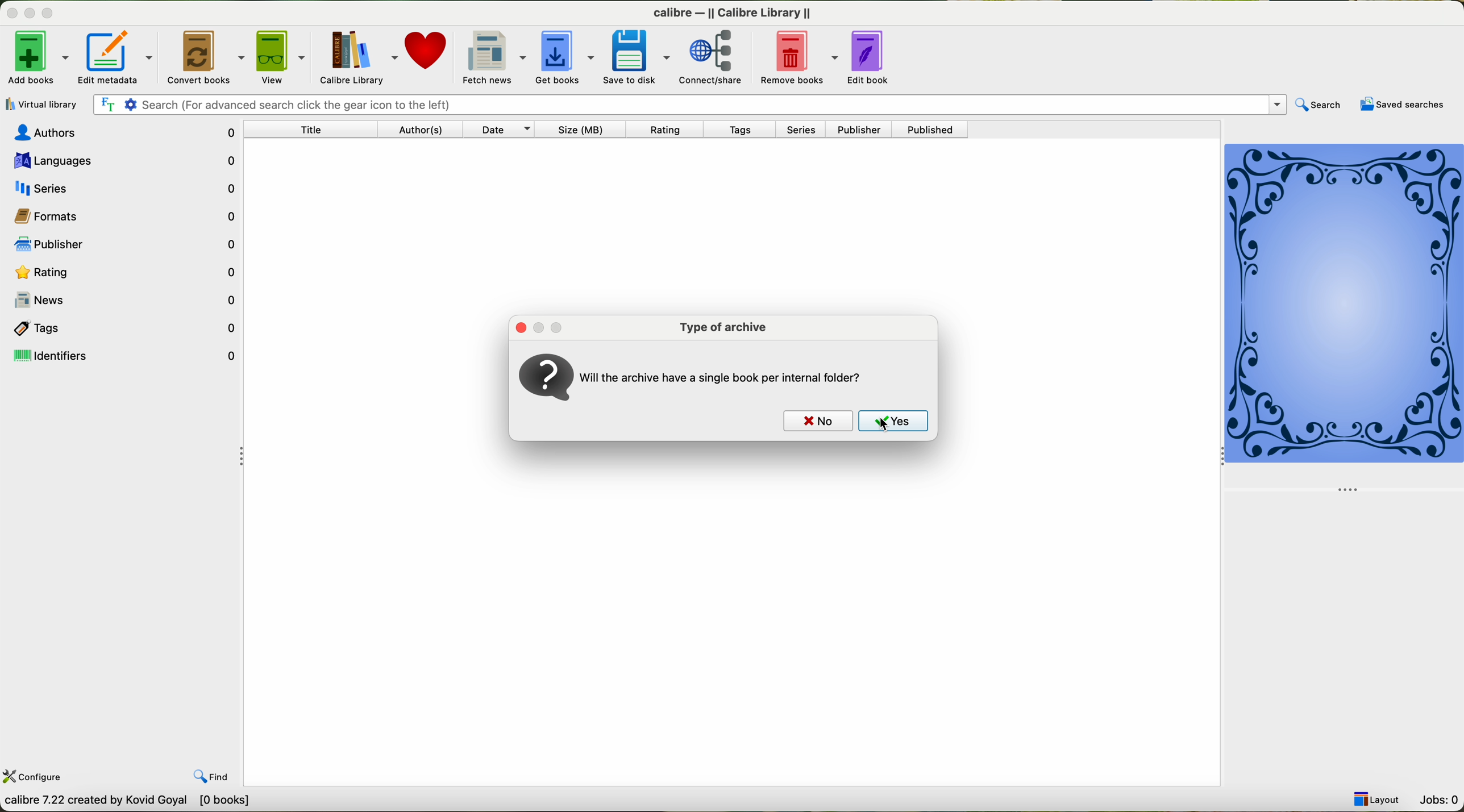 This screenshot has width=1464, height=812. What do you see at coordinates (561, 326) in the screenshot?
I see `maximize` at bounding box center [561, 326].